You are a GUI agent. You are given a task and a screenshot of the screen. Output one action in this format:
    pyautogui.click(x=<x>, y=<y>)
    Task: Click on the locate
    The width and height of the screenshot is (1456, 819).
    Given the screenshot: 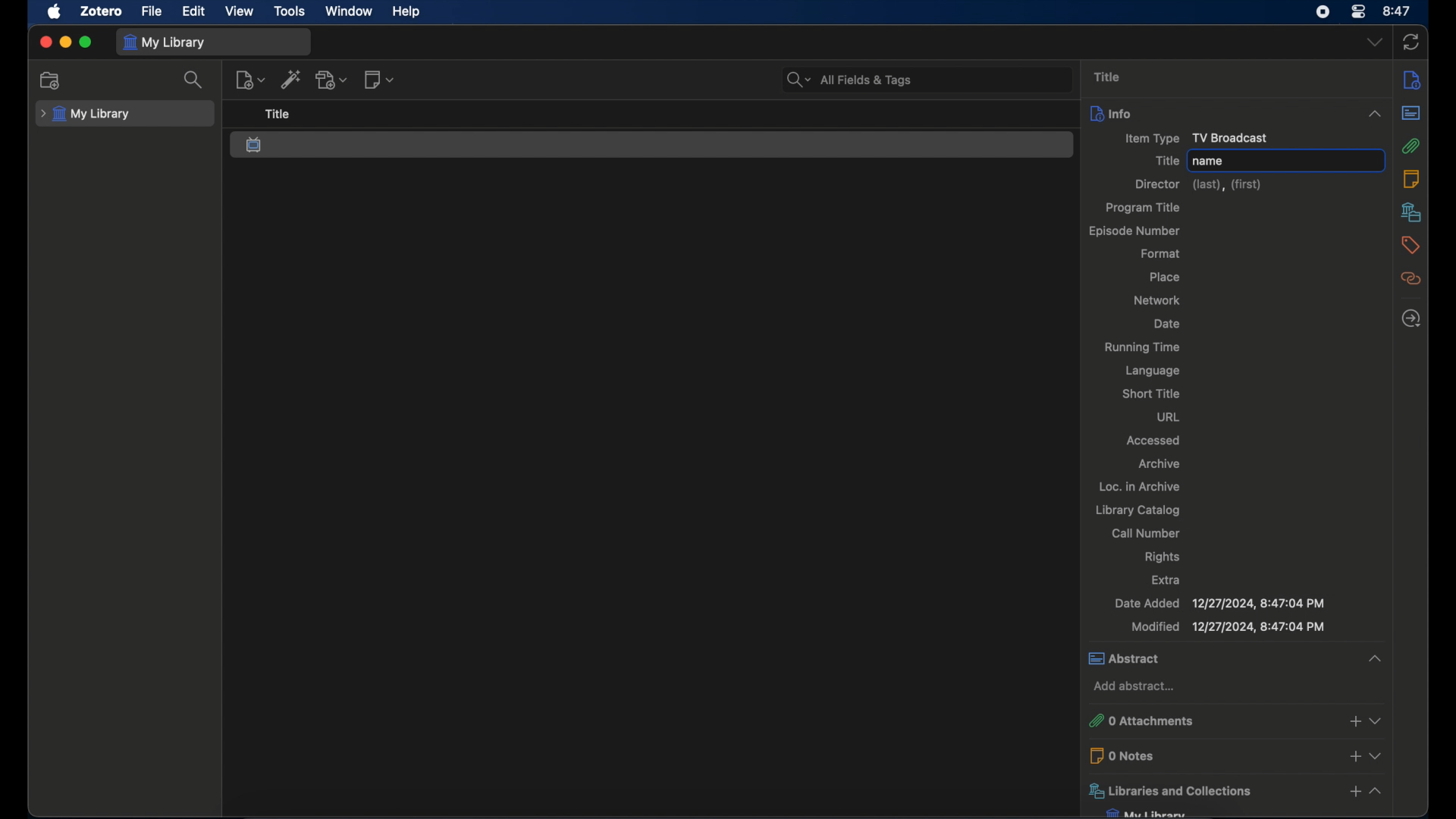 What is the action you would take?
    pyautogui.click(x=1411, y=318)
    